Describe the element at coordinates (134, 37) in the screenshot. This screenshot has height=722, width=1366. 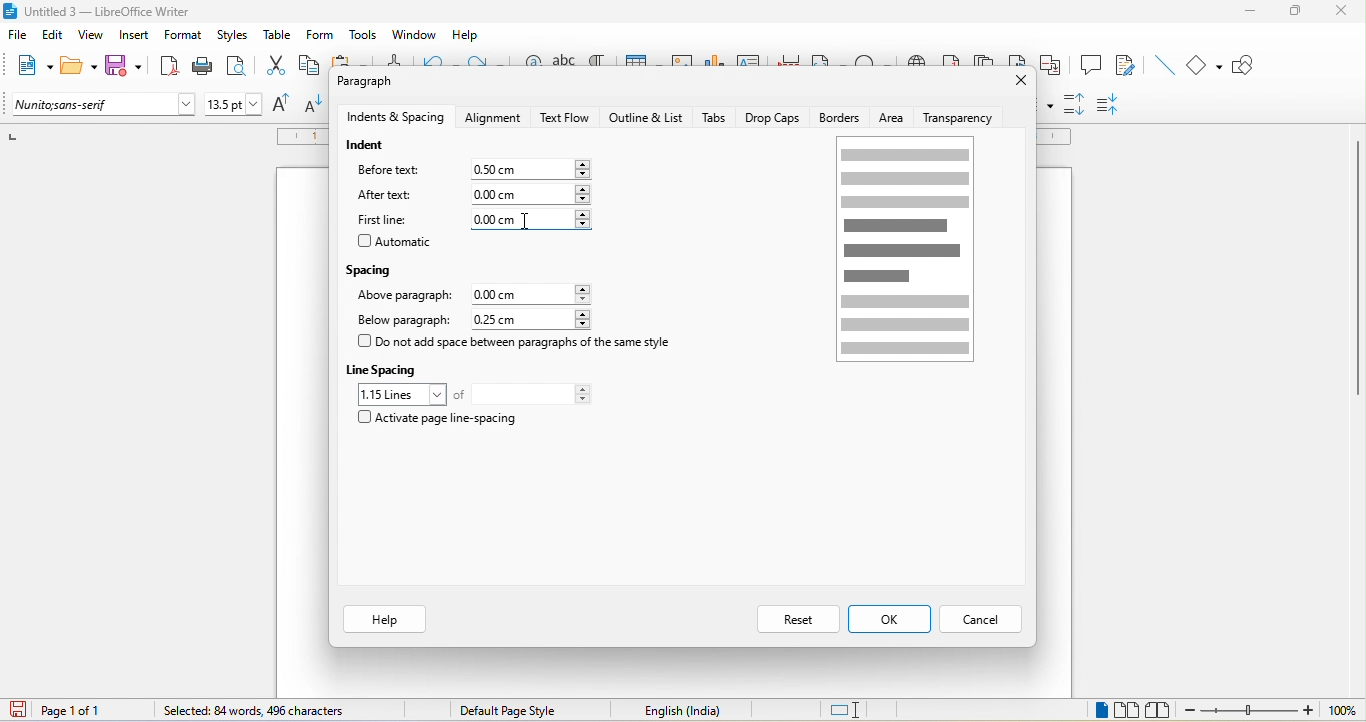
I see `insert` at that location.